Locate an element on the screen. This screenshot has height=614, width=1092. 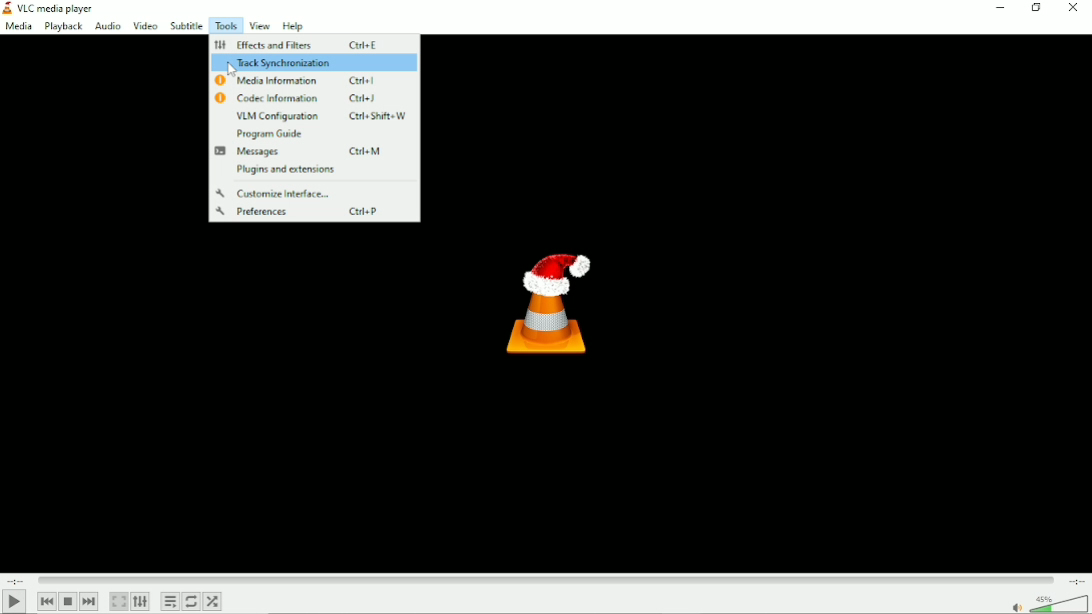
minimize is located at coordinates (997, 10).